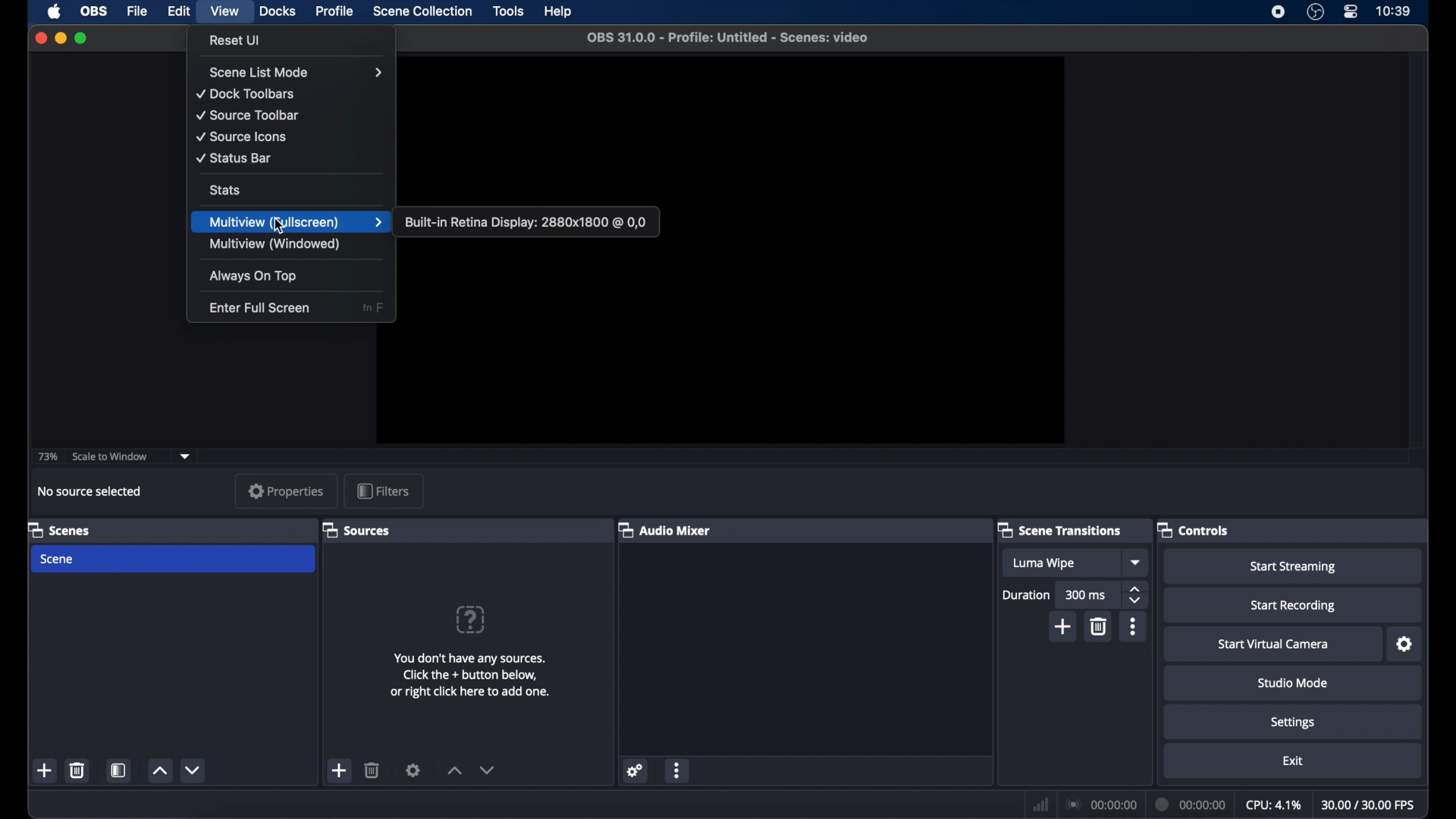 The height and width of the screenshot is (819, 1456). Describe the element at coordinates (1043, 563) in the screenshot. I see `luma wipe` at that location.